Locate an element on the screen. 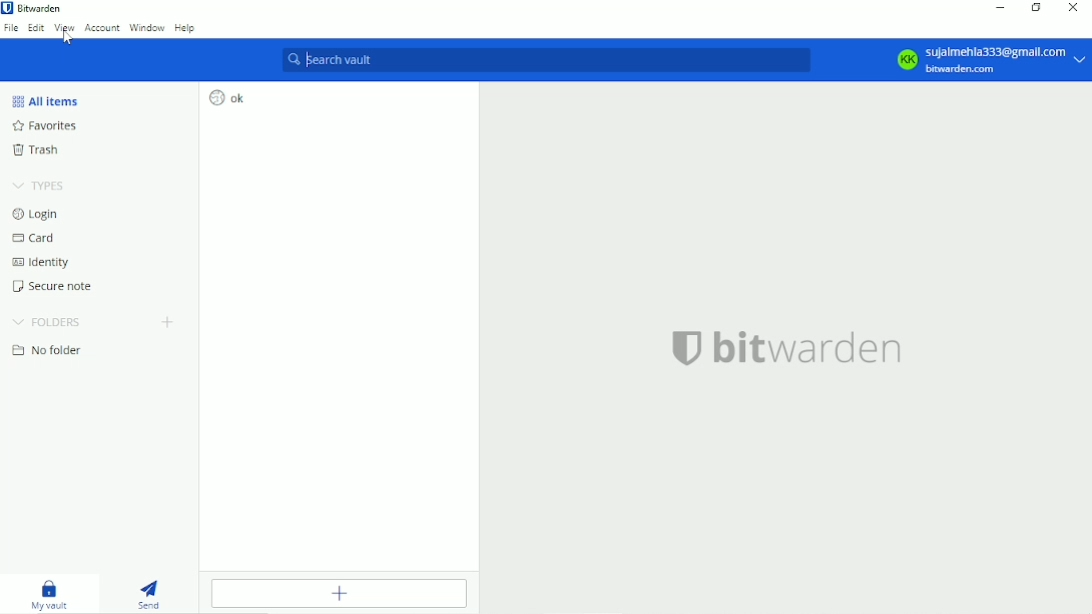  Types is located at coordinates (39, 183).